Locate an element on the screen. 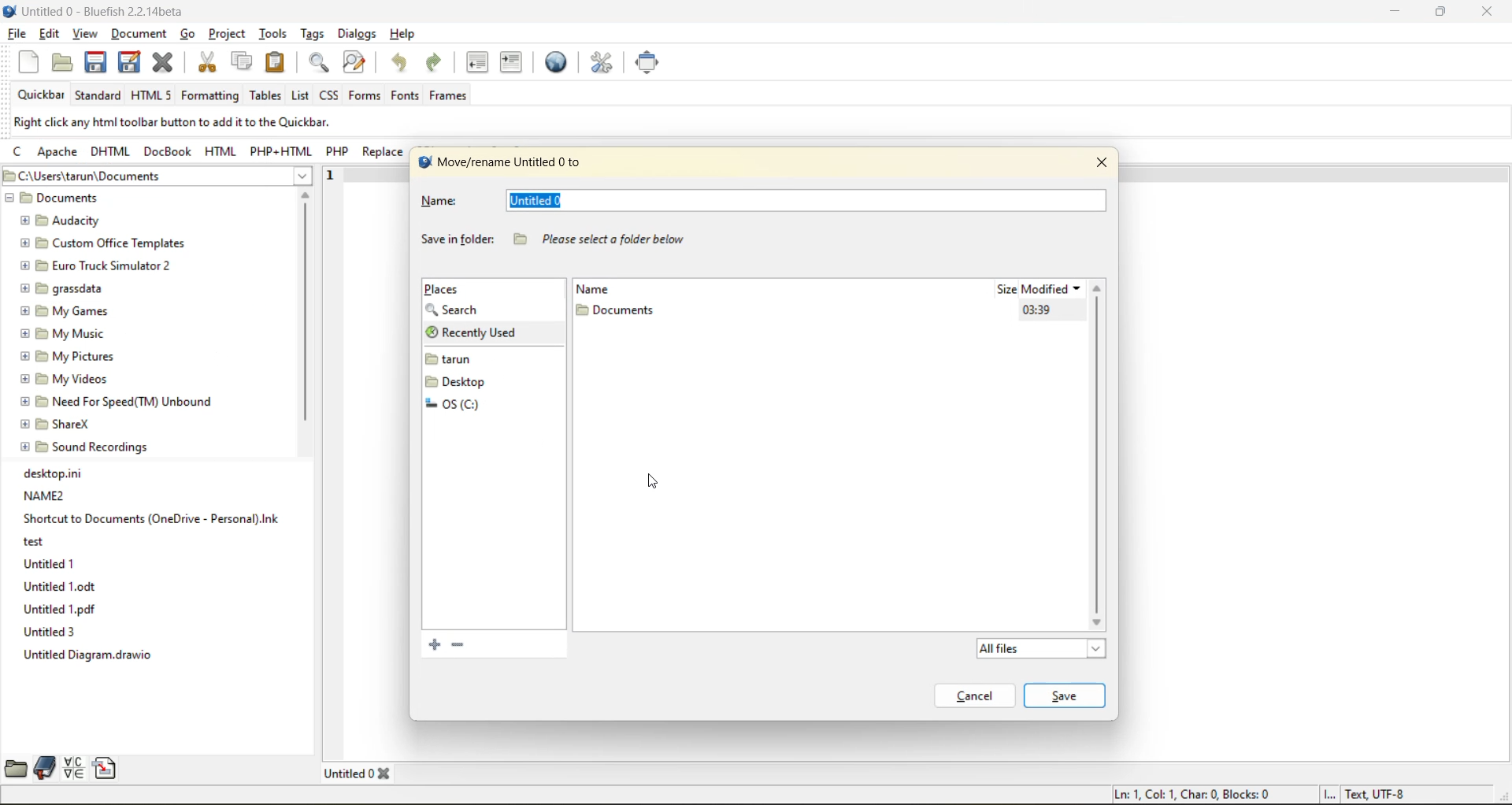  modified date is located at coordinates (1054, 287).